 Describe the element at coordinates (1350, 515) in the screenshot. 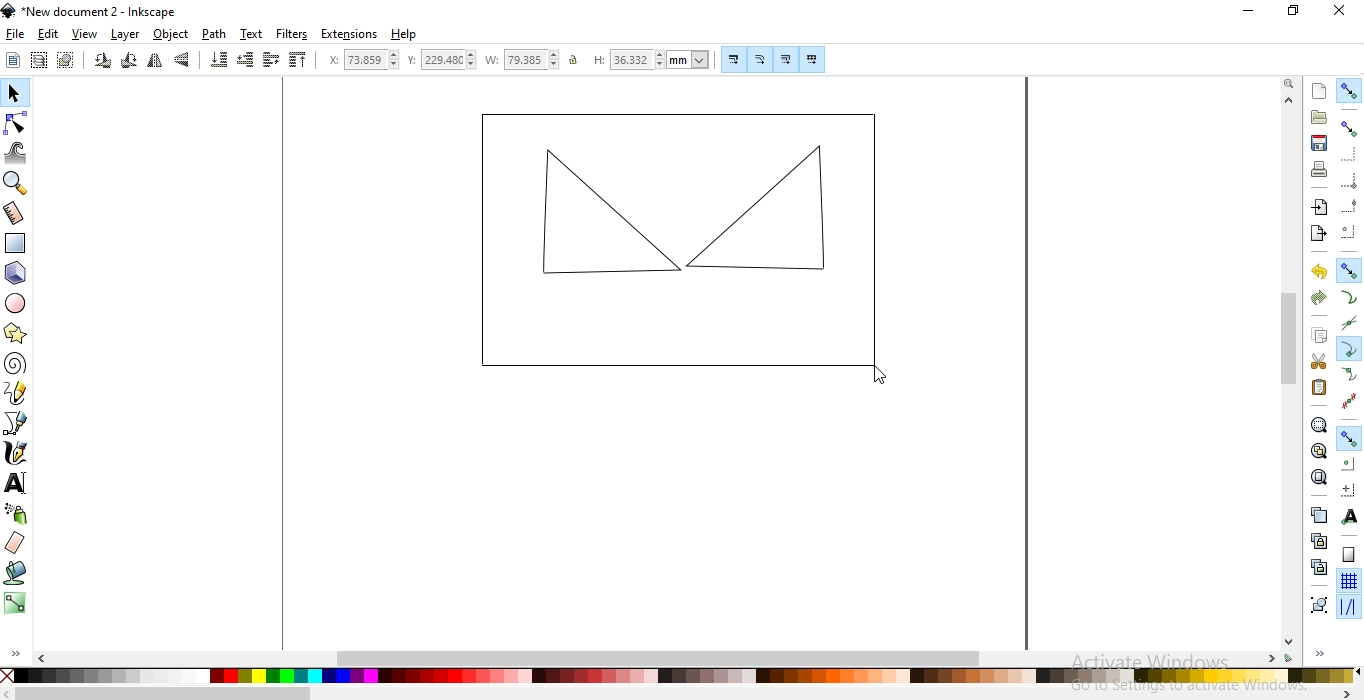

I see `snap text anchors and baselines` at that location.